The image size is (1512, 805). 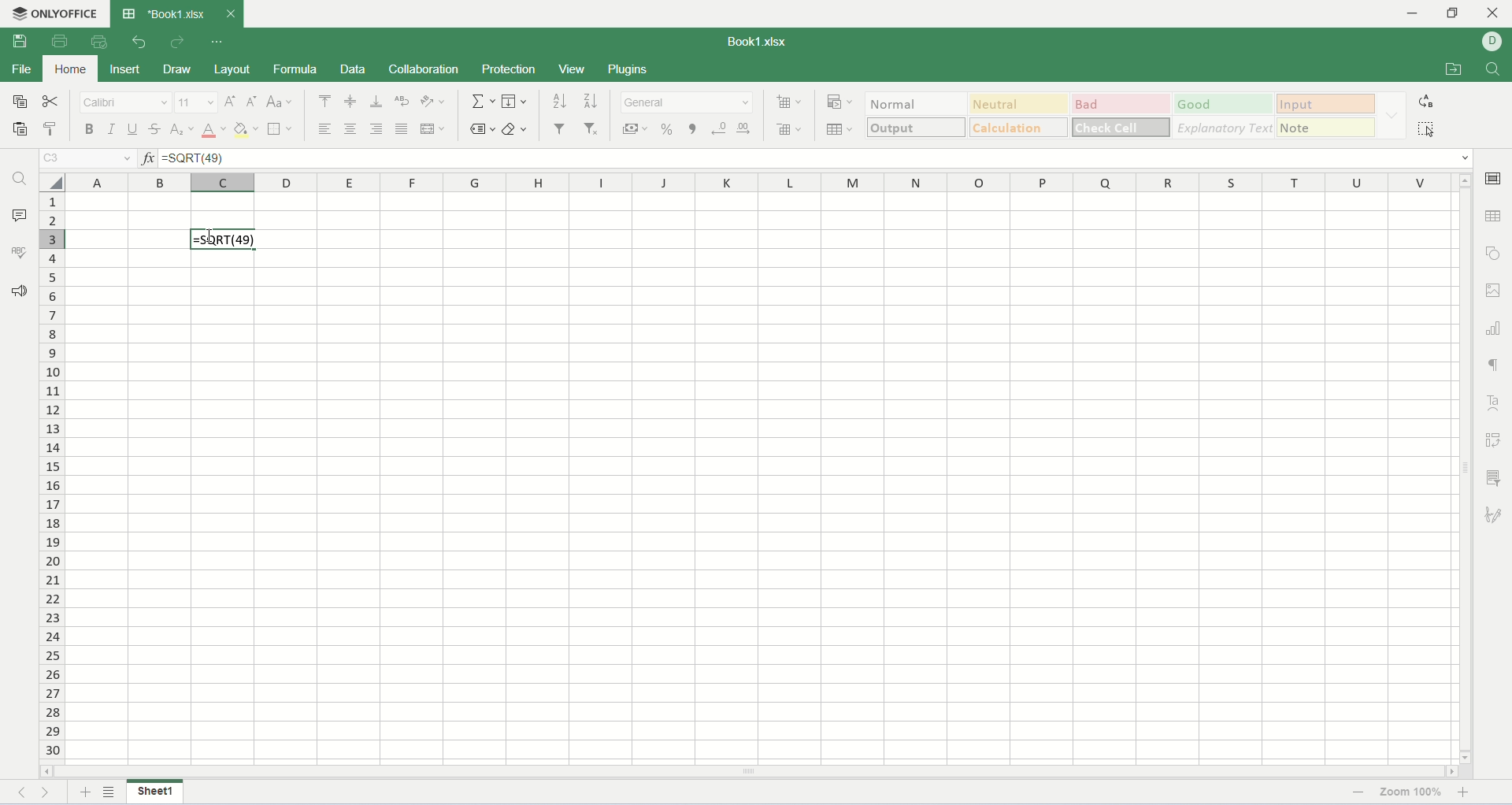 What do you see at coordinates (1223, 104) in the screenshot?
I see `good` at bounding box center [1223, 104].